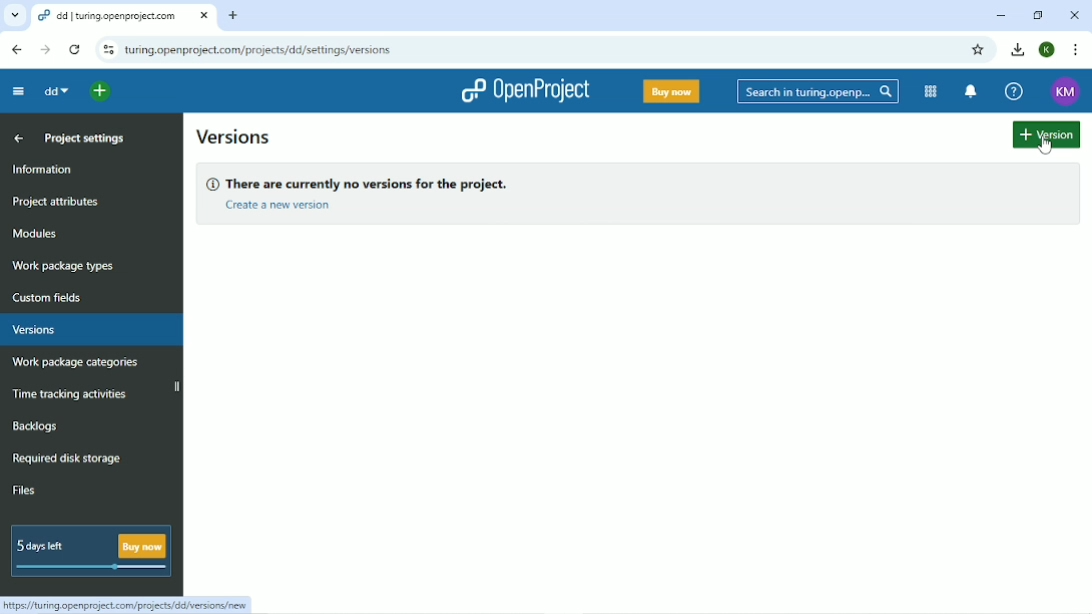 The image size is (1092, 614). I want to click on To notification center, so click(971, 91).